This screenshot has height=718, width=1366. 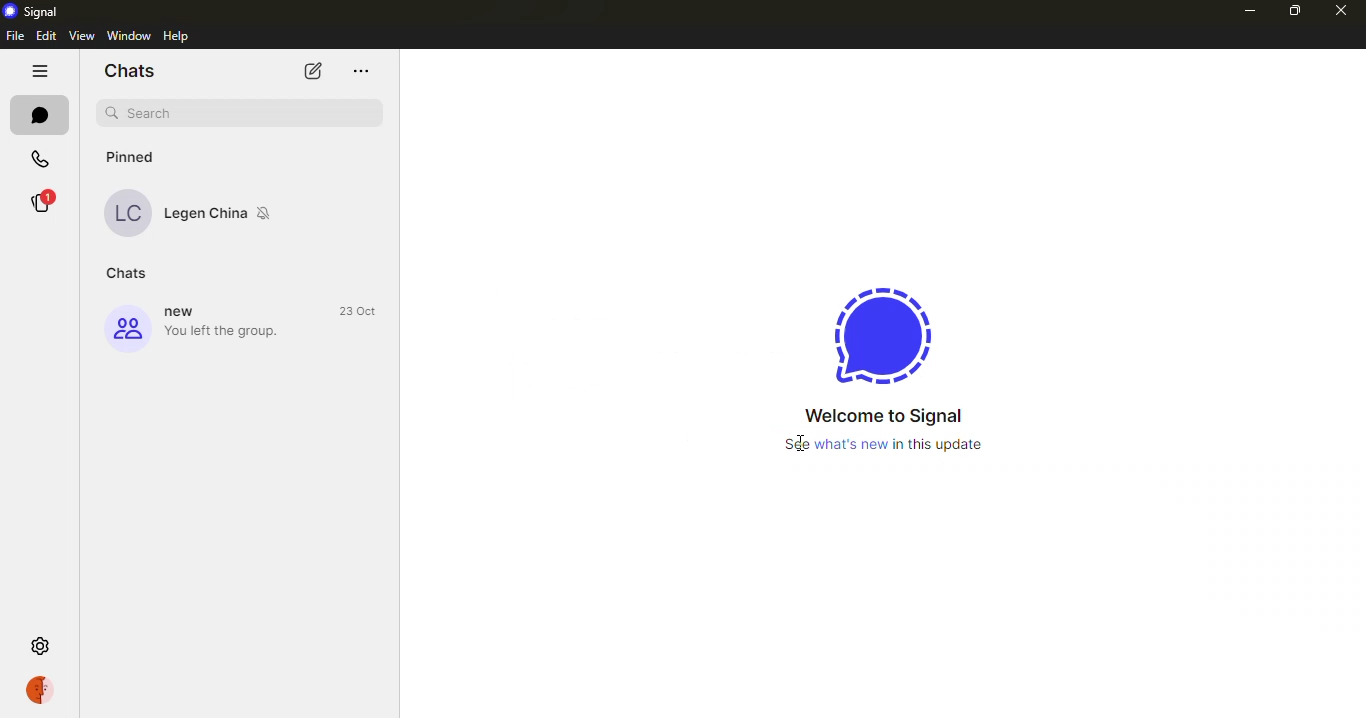 What do you see at coordinates (82, 35) in the screenshot?
I see `view` at bounding box center [82, 35].